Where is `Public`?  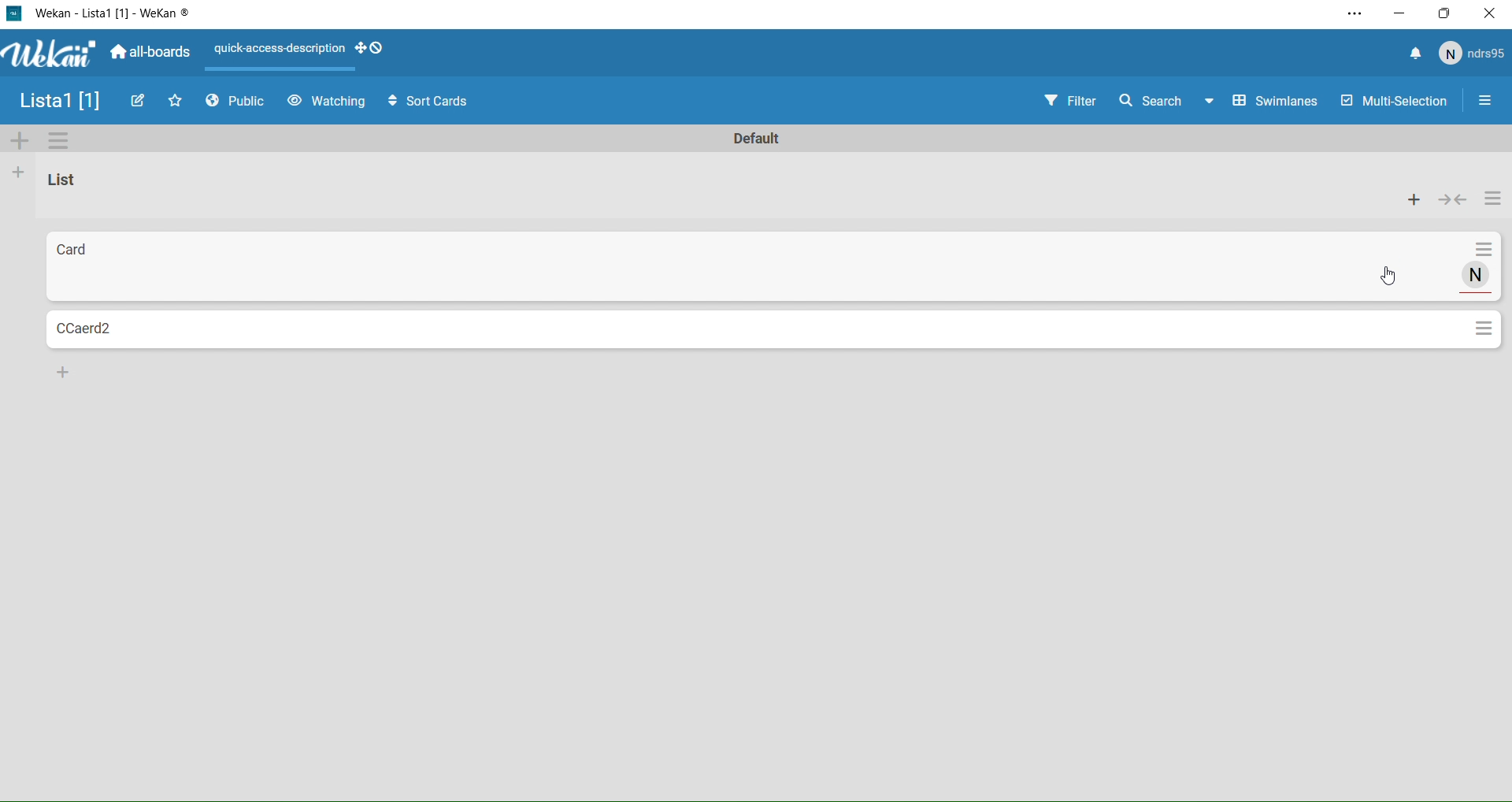 Public is located at coordinates (239, 103).